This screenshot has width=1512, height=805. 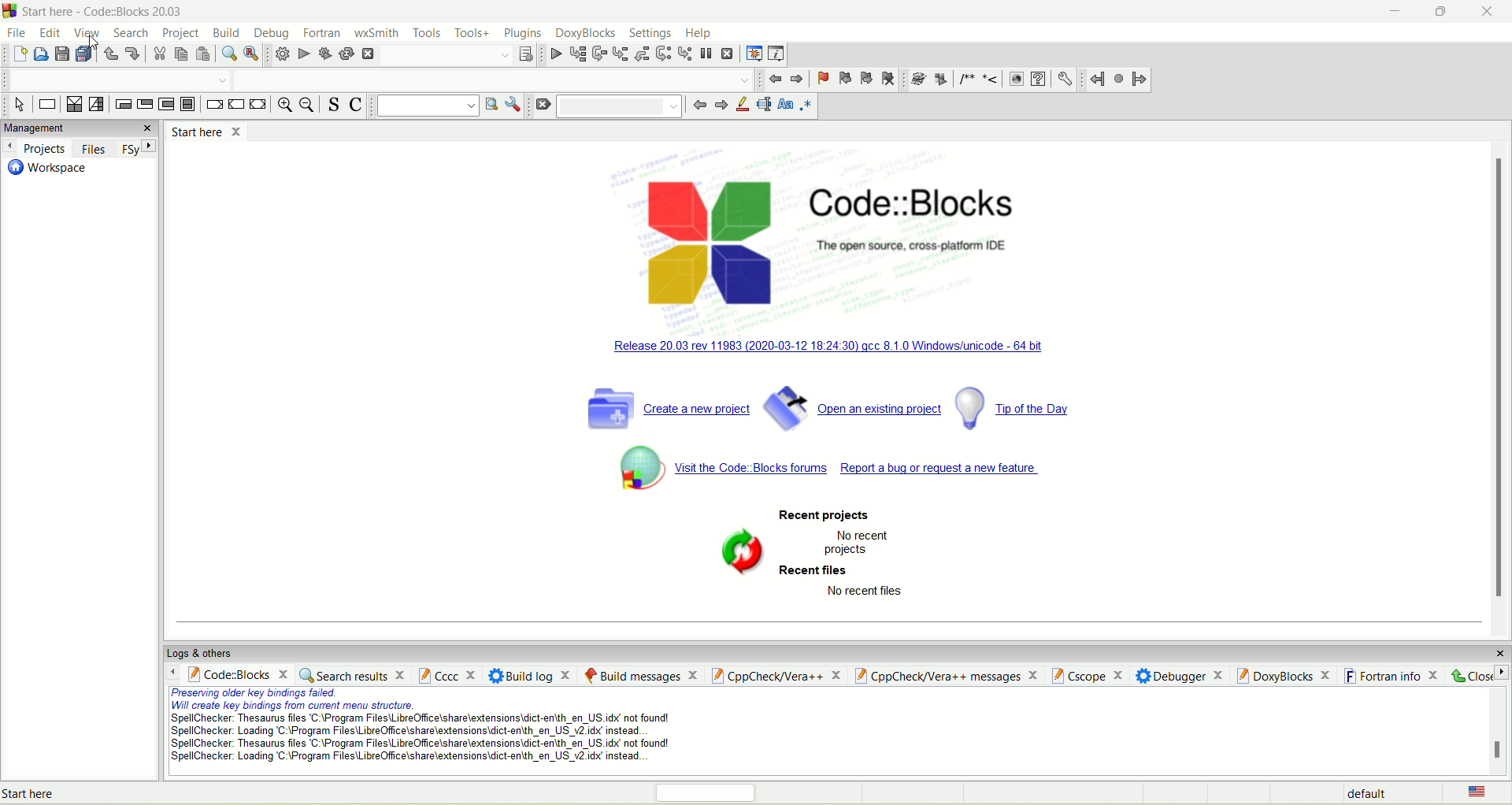 I want to click on save everything, so click(x=85, y=55).